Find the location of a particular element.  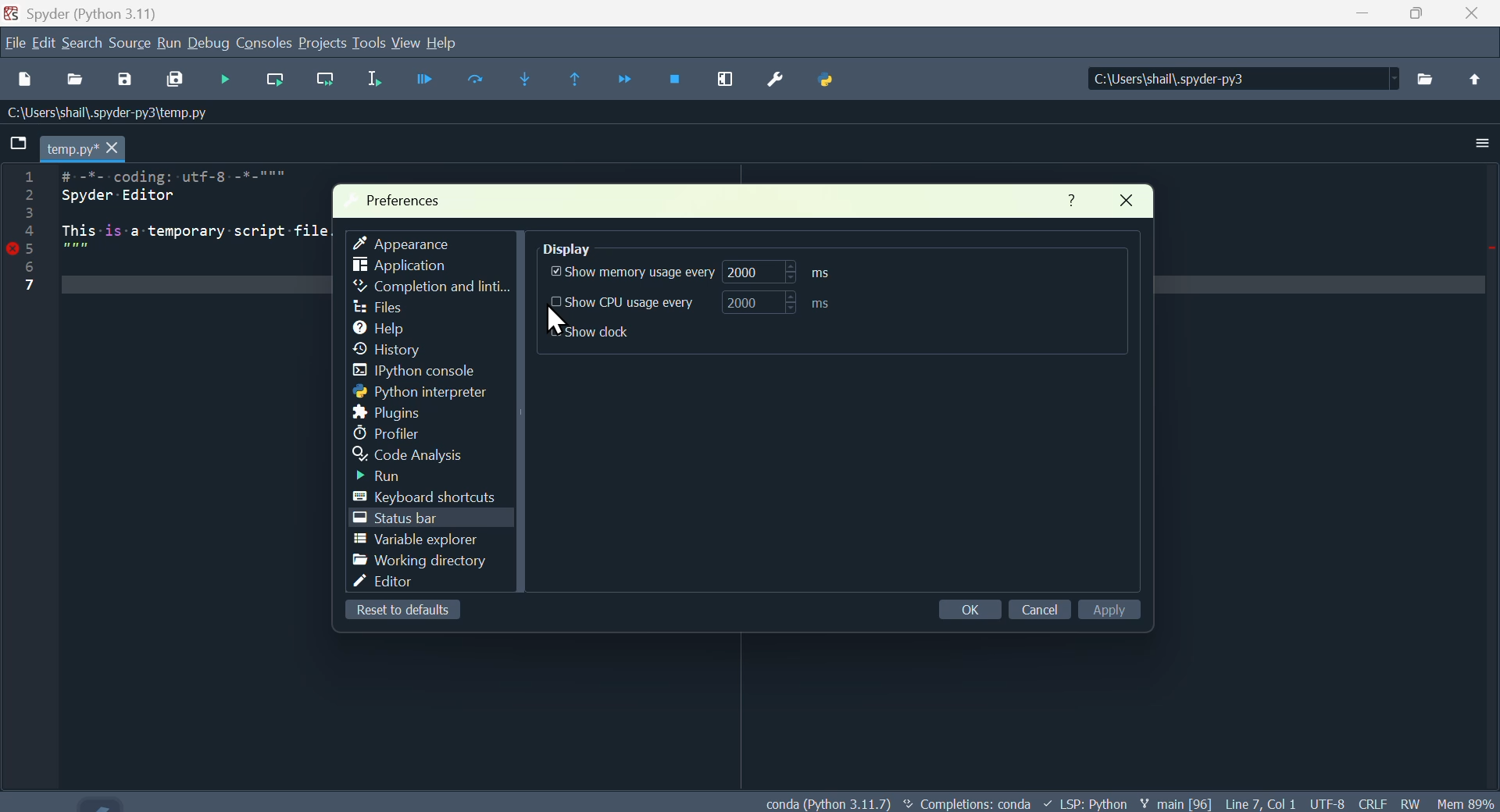

Show memory usage is located at coordinates (684, 274).